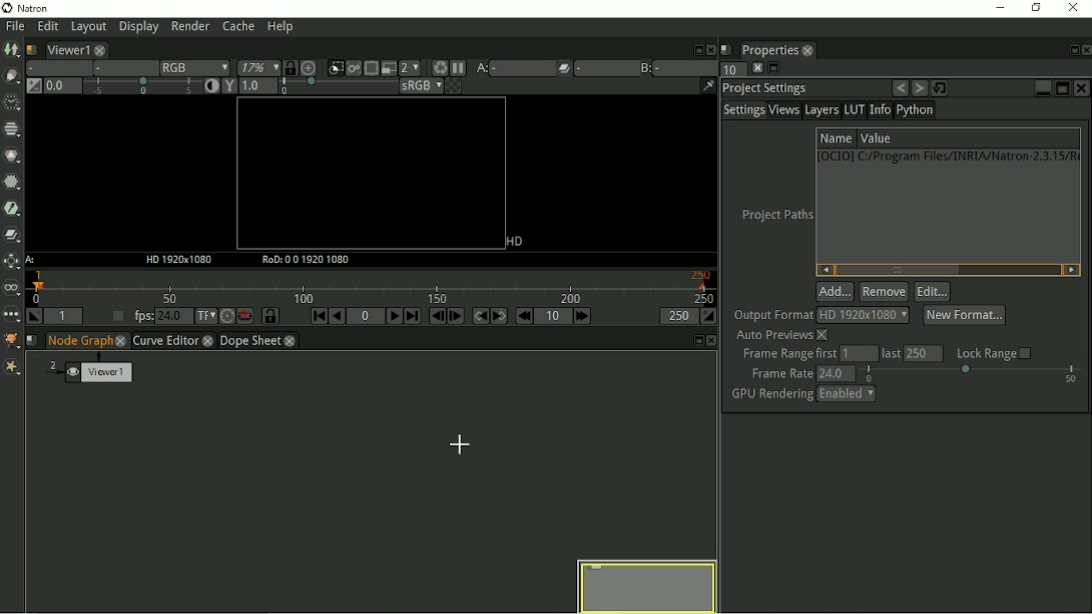  I want to click on RoD, so click(302, 259).